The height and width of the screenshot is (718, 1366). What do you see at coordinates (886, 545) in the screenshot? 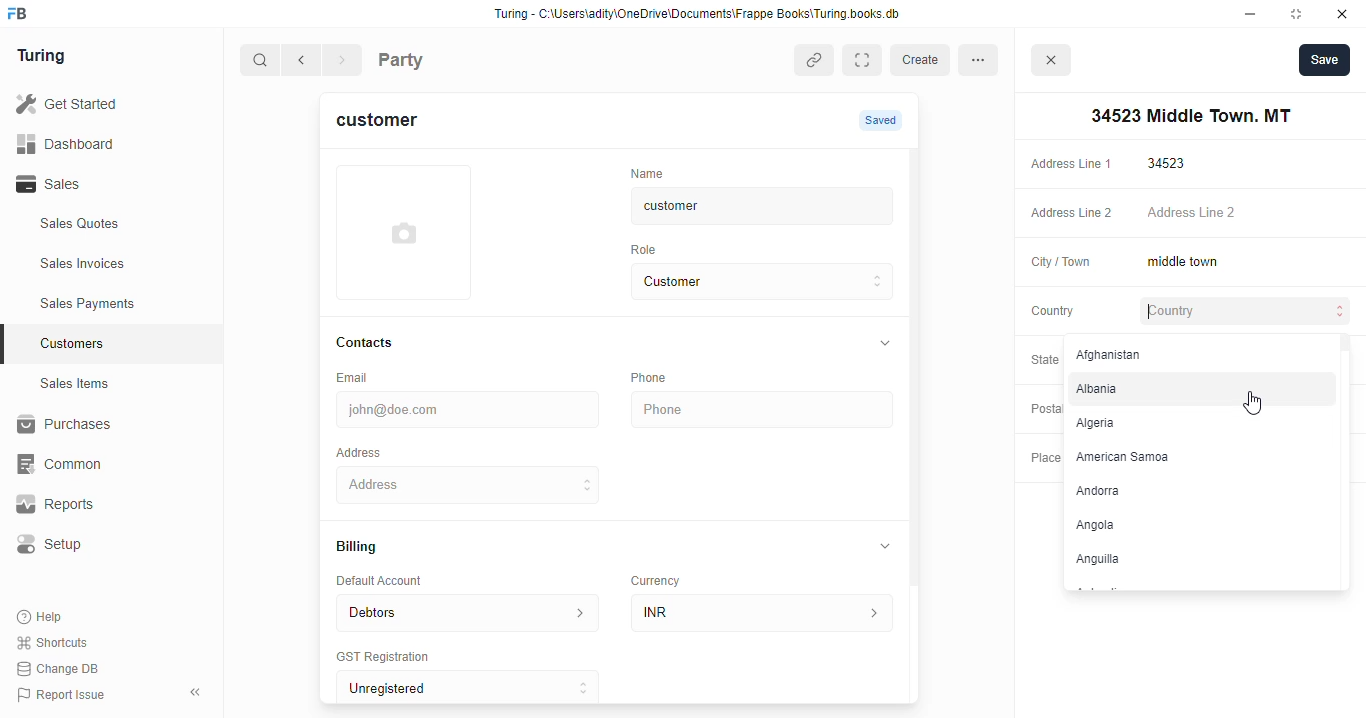
I see `collapse` at bounding box center [886, 545].